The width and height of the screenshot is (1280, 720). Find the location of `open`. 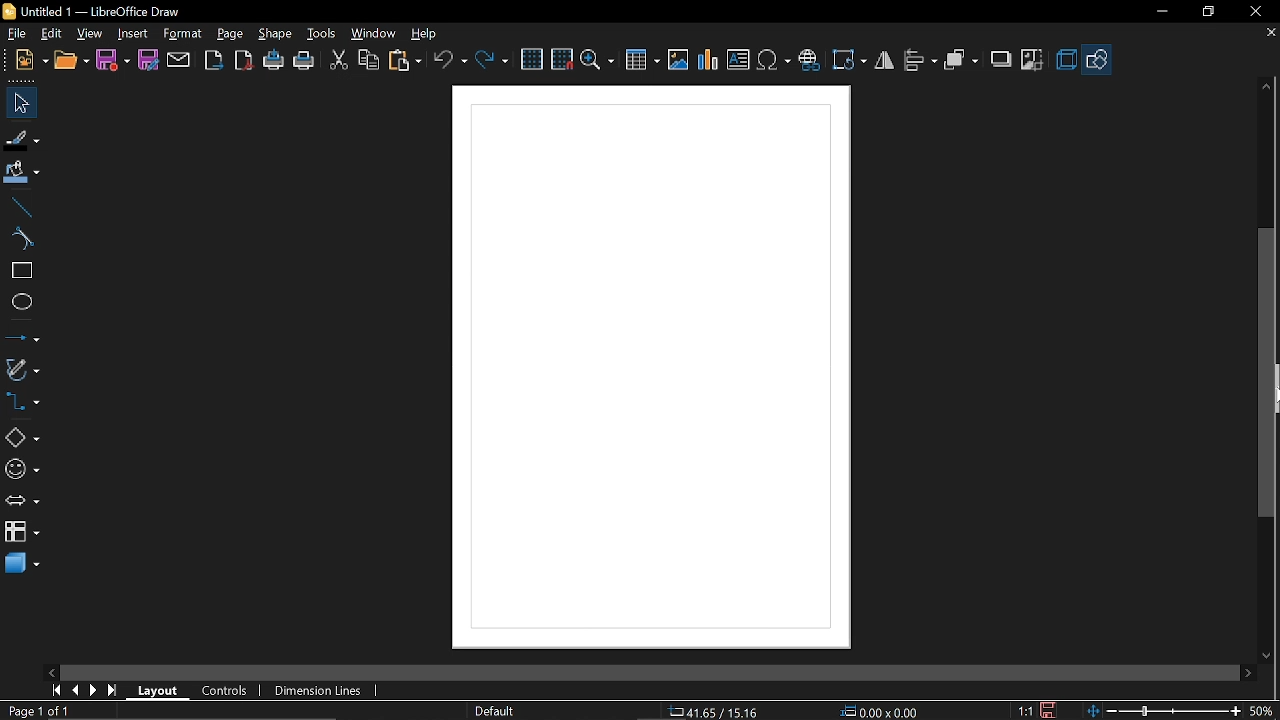

open is located at coordinates (72, 62).